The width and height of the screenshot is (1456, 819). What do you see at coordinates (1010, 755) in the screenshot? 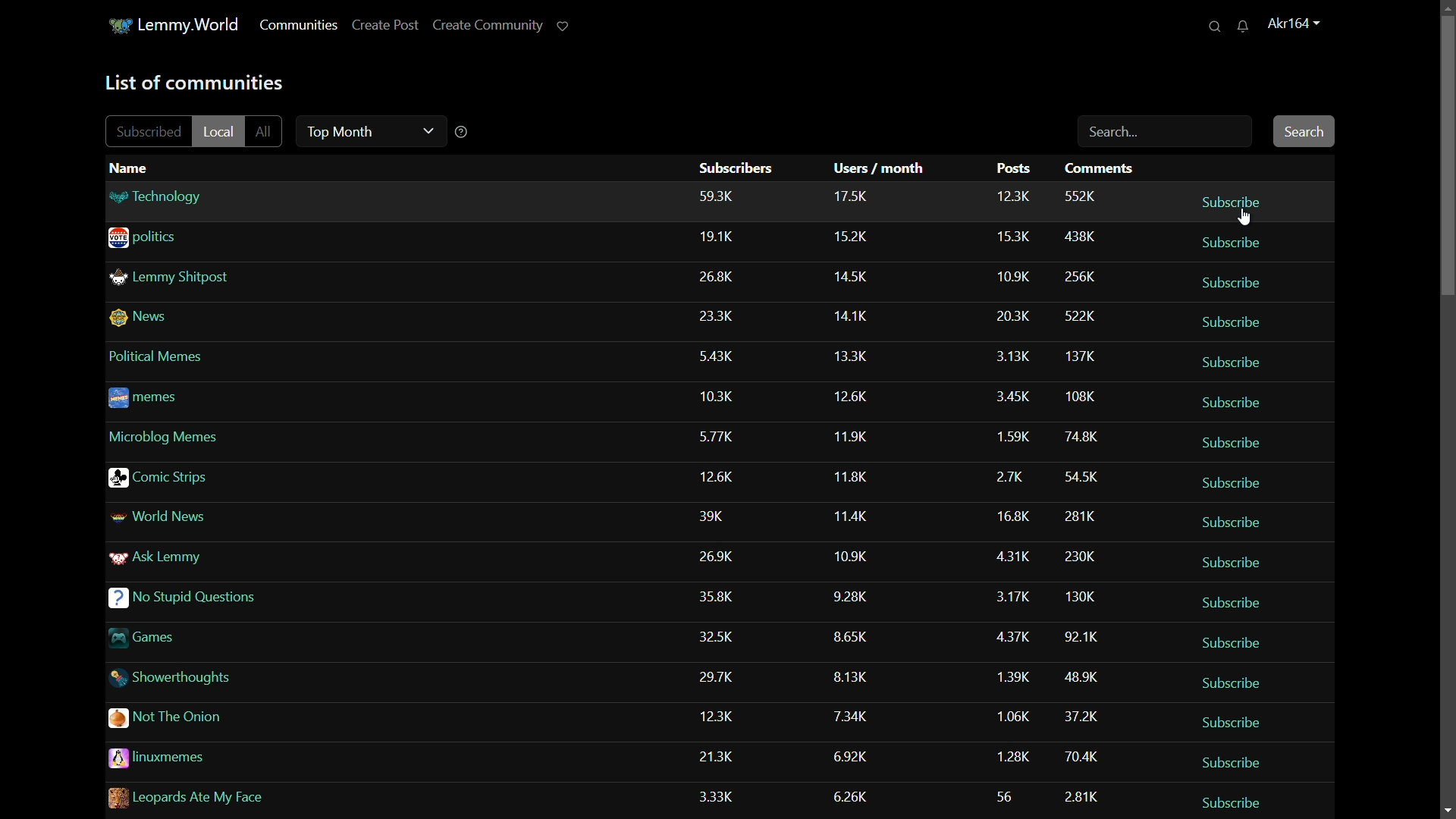
I see `posts` at bounding box center [1010, 755].